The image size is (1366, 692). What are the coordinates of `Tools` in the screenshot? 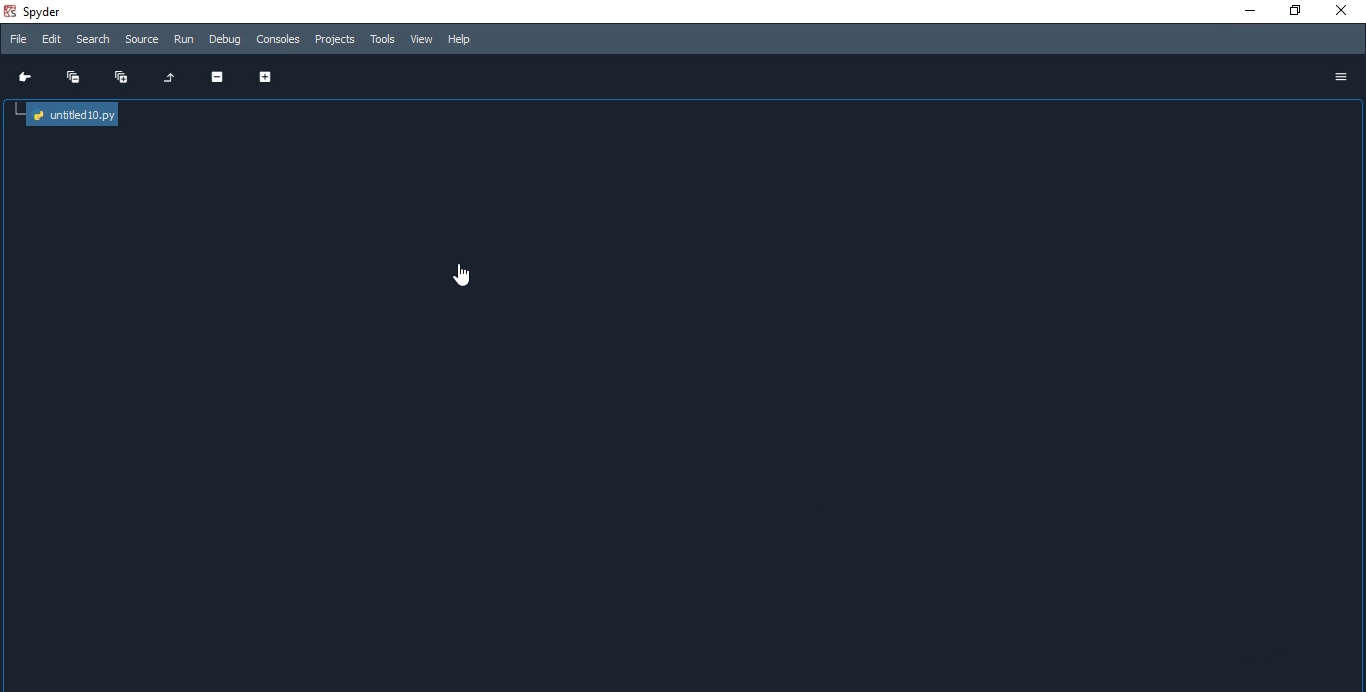 It's located at (383, 39).